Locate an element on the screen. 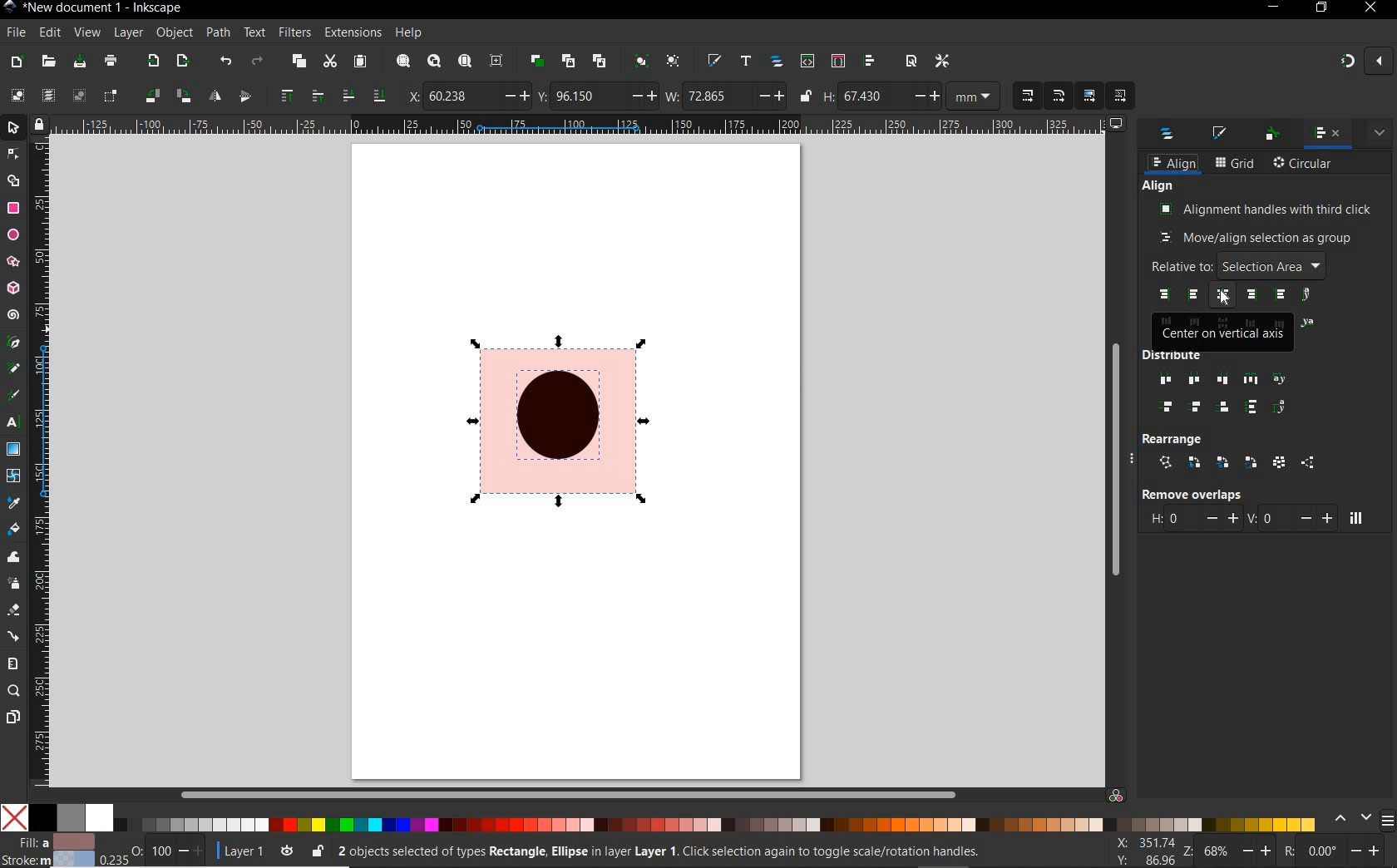 The height and width of the screenshot is (868, 1397). CURSOR is located at coordinates (1225, 299).